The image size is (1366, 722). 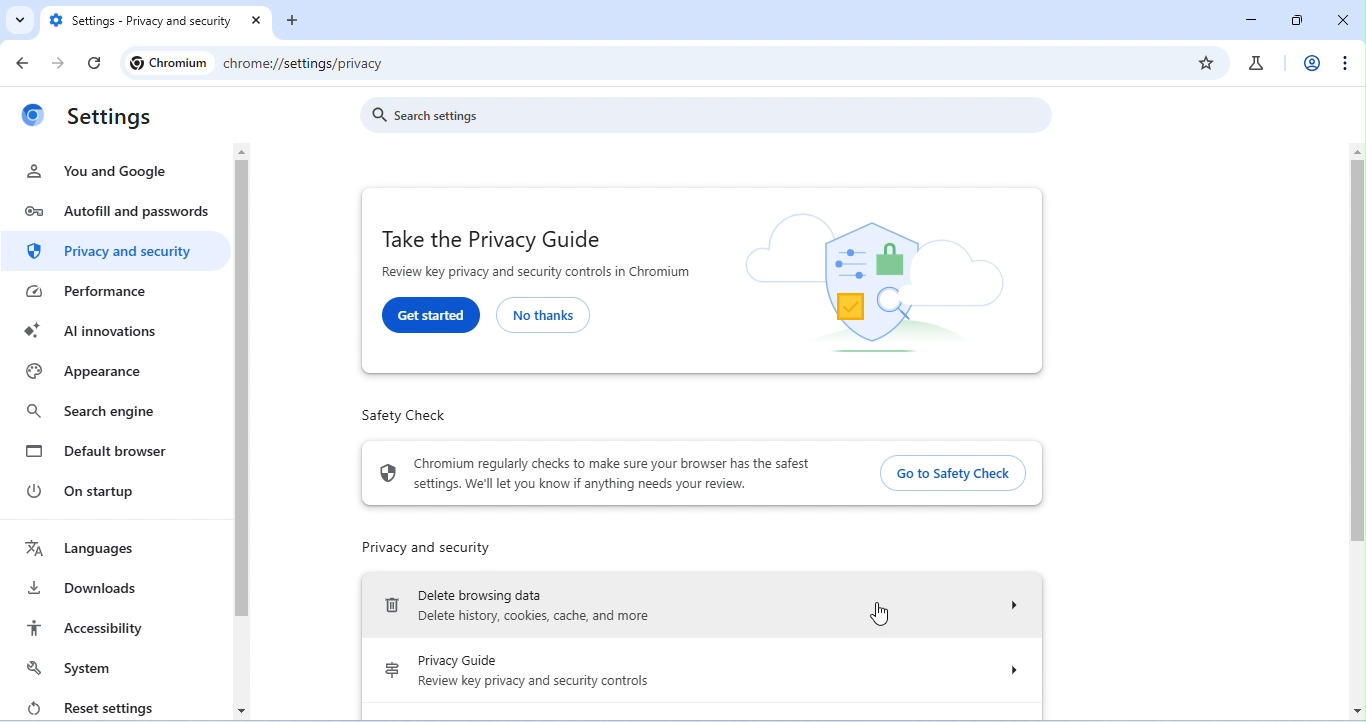 I want to click on color change in go back, so click(x=26, y=61).